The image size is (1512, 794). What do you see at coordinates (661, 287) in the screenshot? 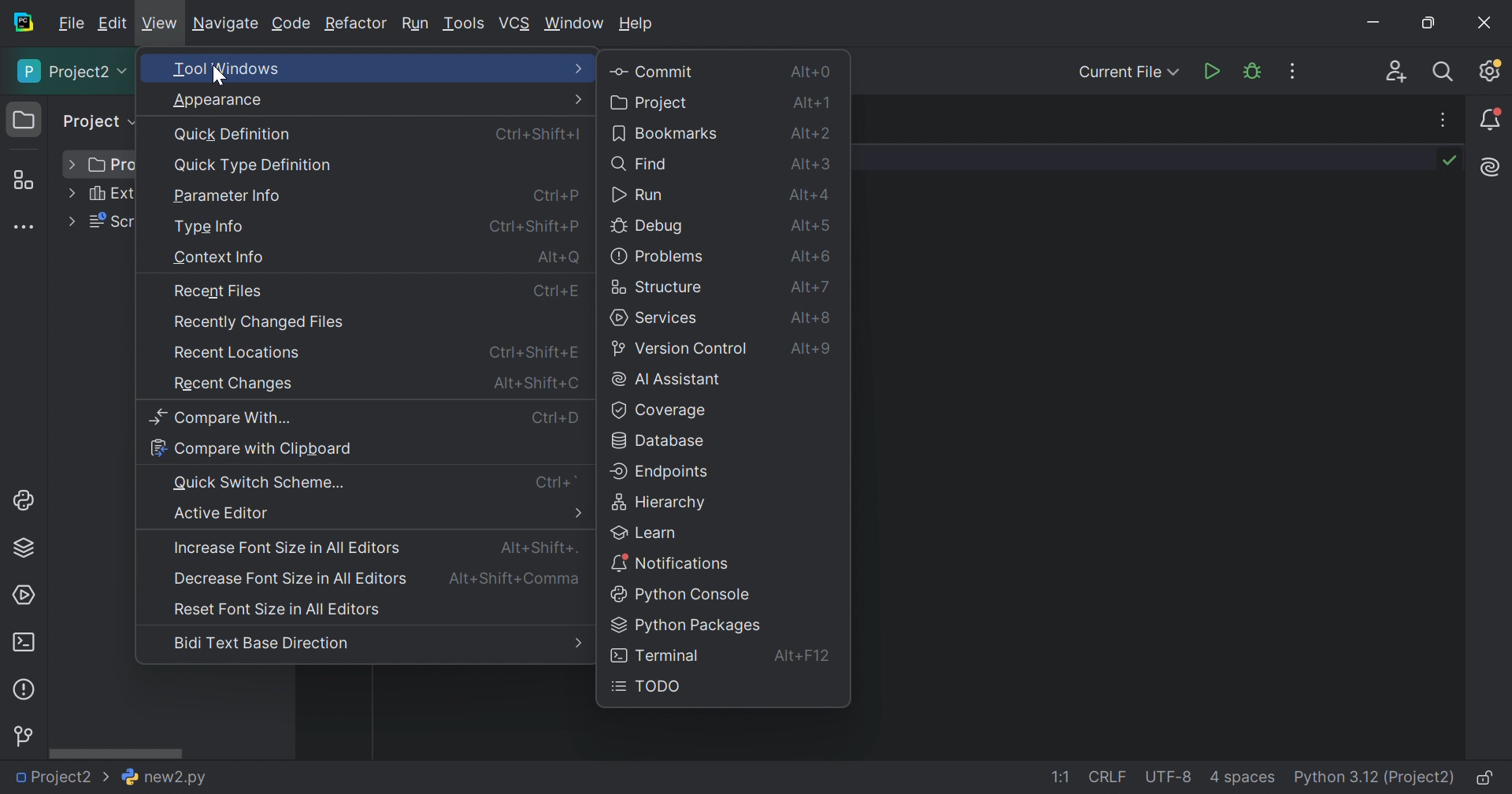
I see `Structure` at bounding box center [661, 287].